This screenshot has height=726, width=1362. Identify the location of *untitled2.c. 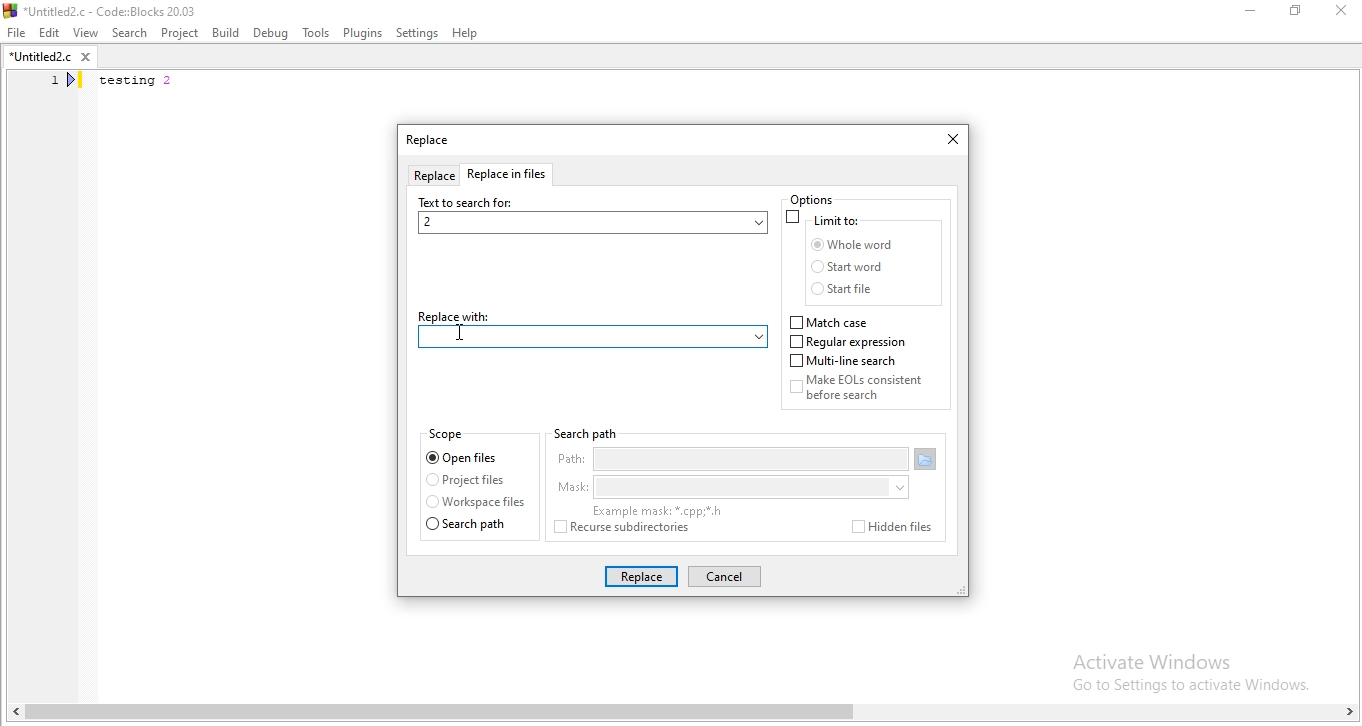
(49, 59).